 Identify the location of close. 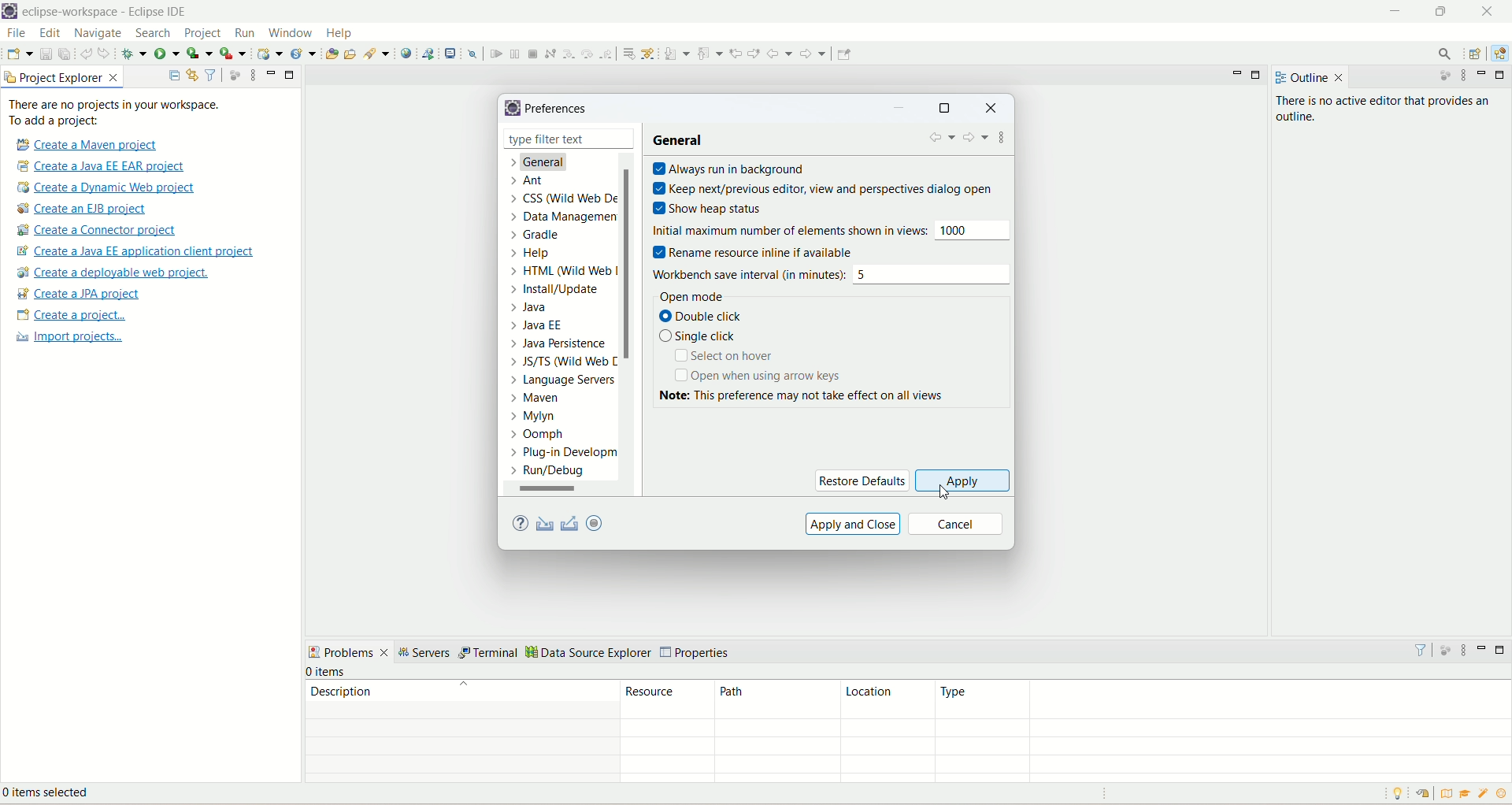
(1340, 78).